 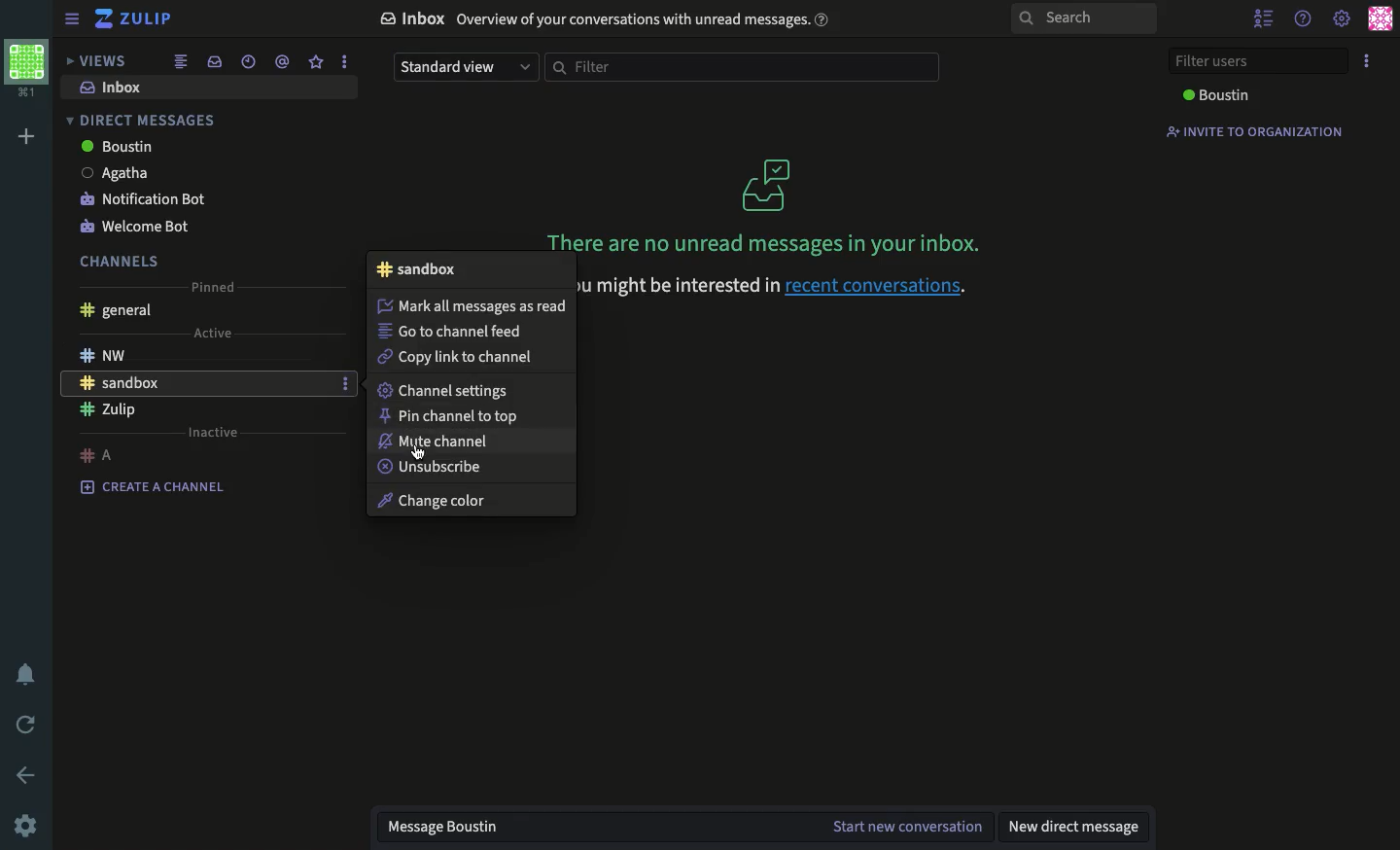 I want to click on active, so click(x=214, y=333).